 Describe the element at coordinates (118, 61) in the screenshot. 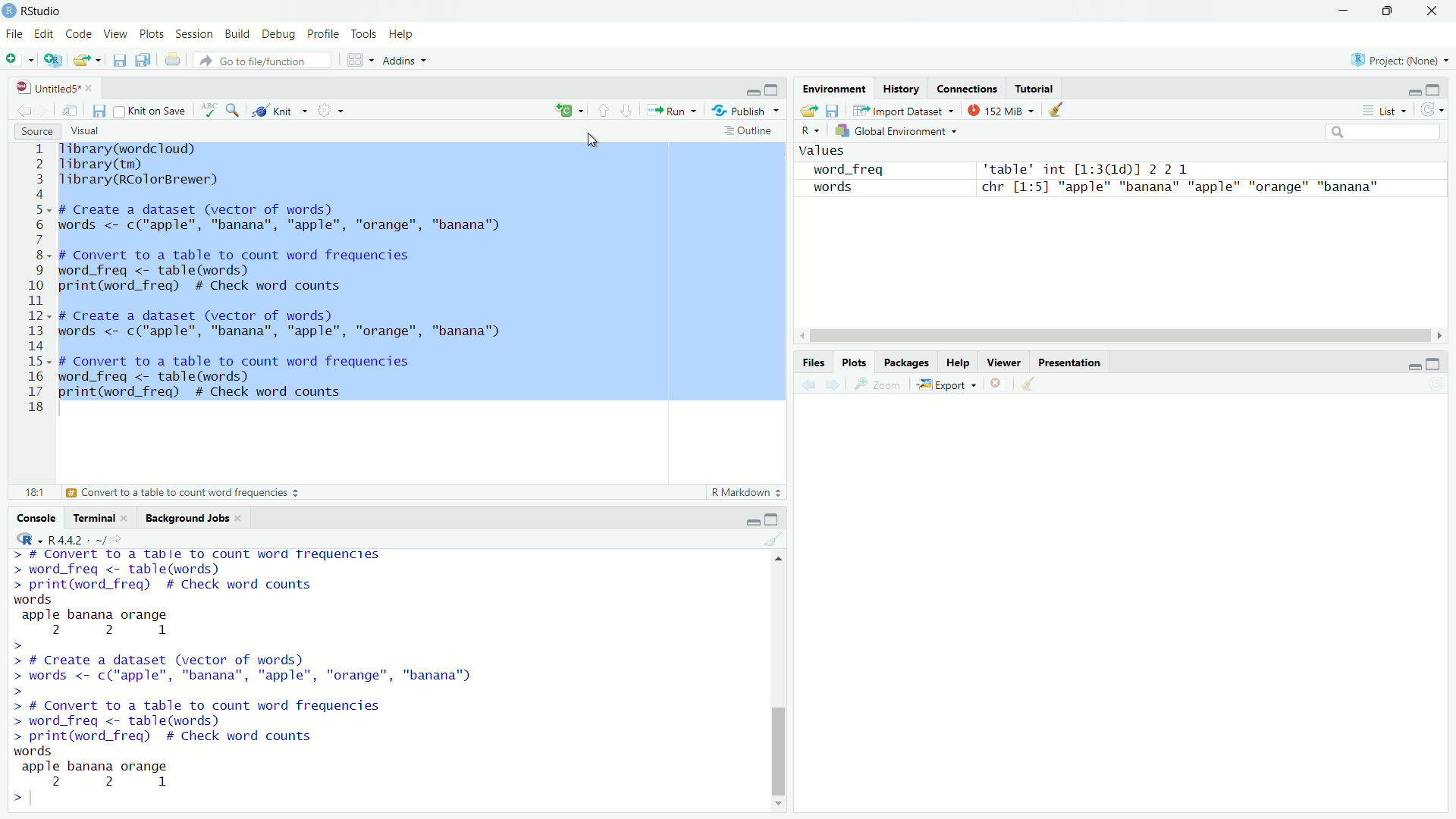

I see `Save Current Document` at that location.